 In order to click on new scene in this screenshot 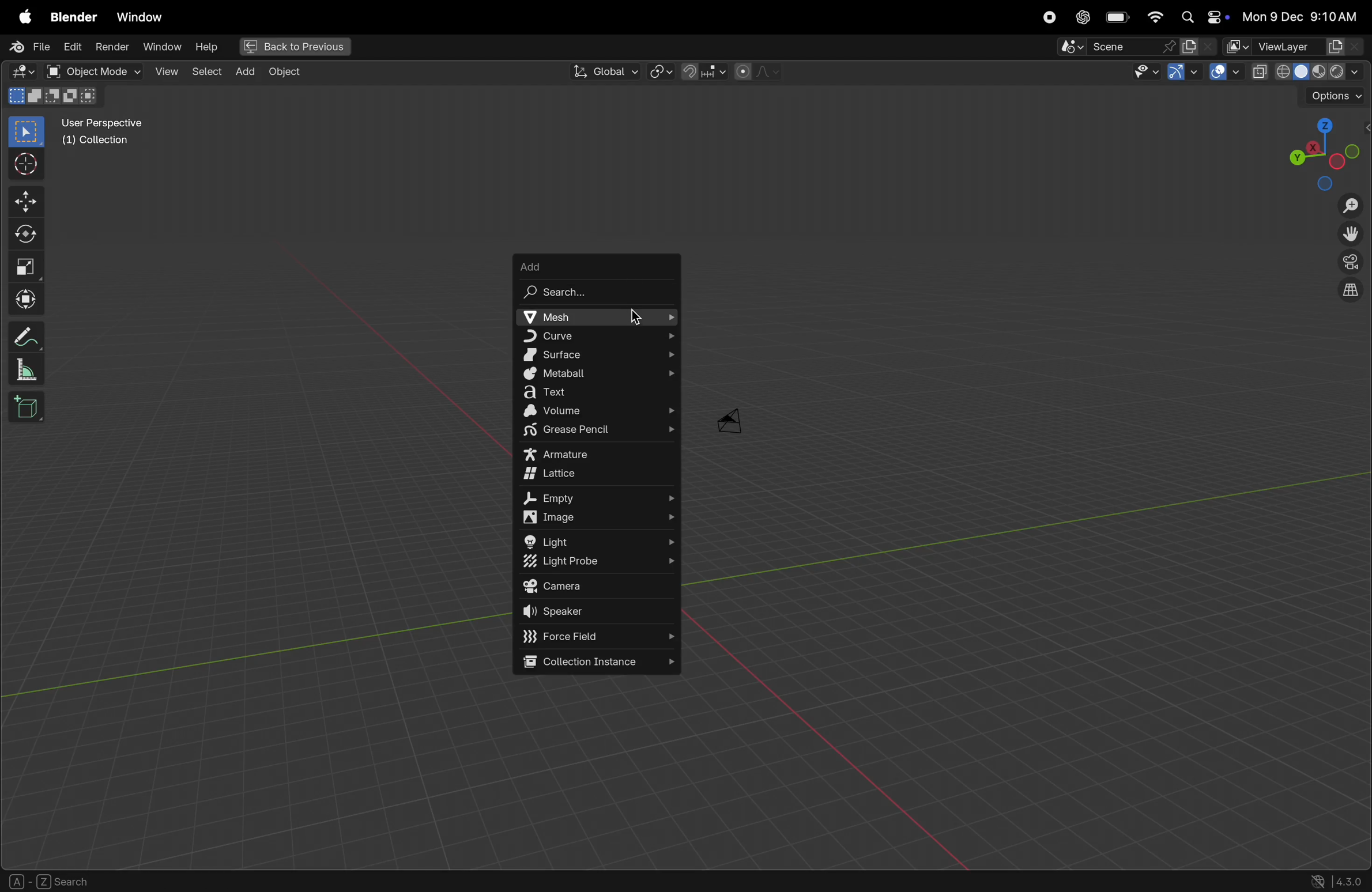, I will do `click(1198, 47)`.